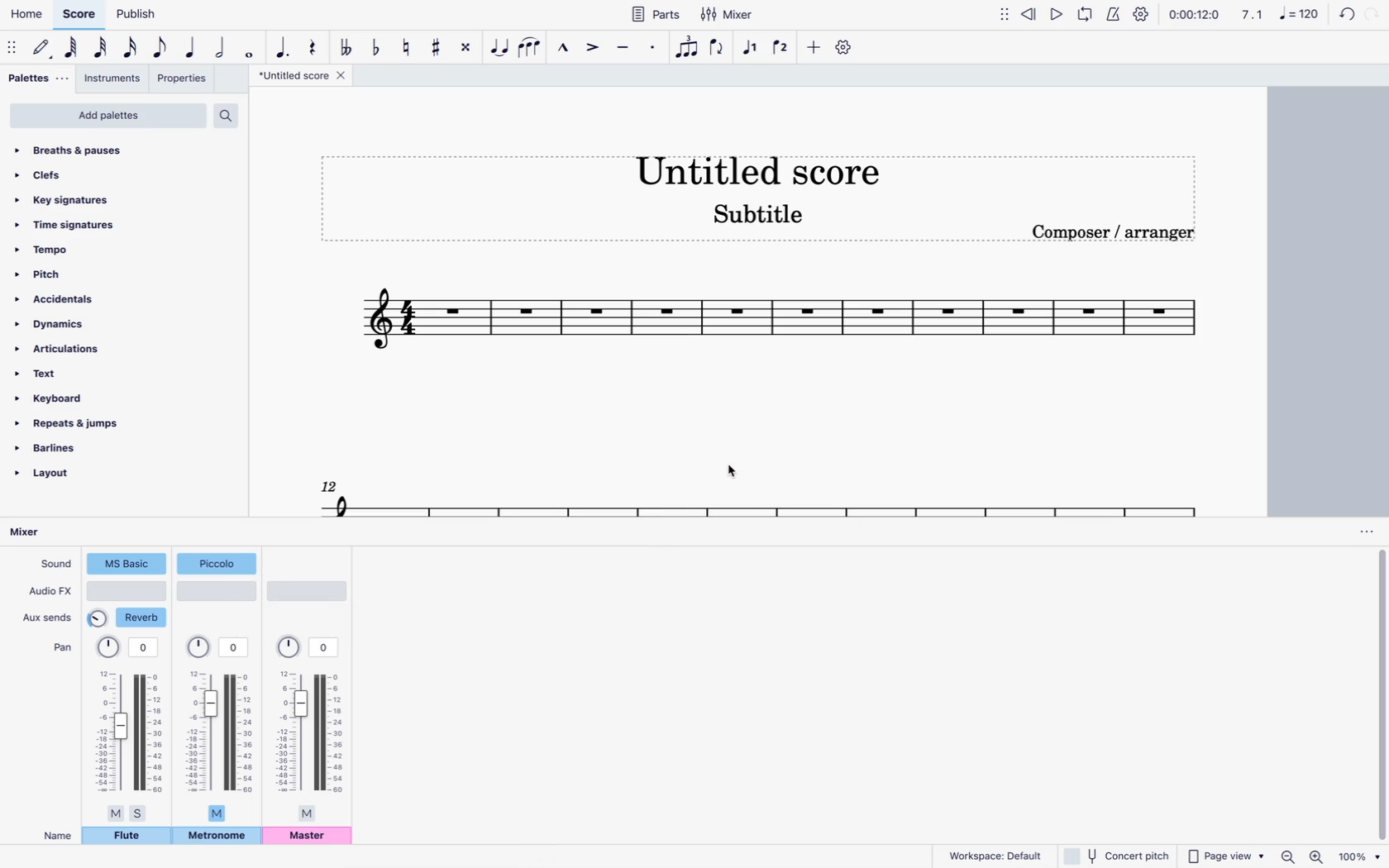 This screenshot has height=868, width=1389. I want to click on move, so click(1005, 18).